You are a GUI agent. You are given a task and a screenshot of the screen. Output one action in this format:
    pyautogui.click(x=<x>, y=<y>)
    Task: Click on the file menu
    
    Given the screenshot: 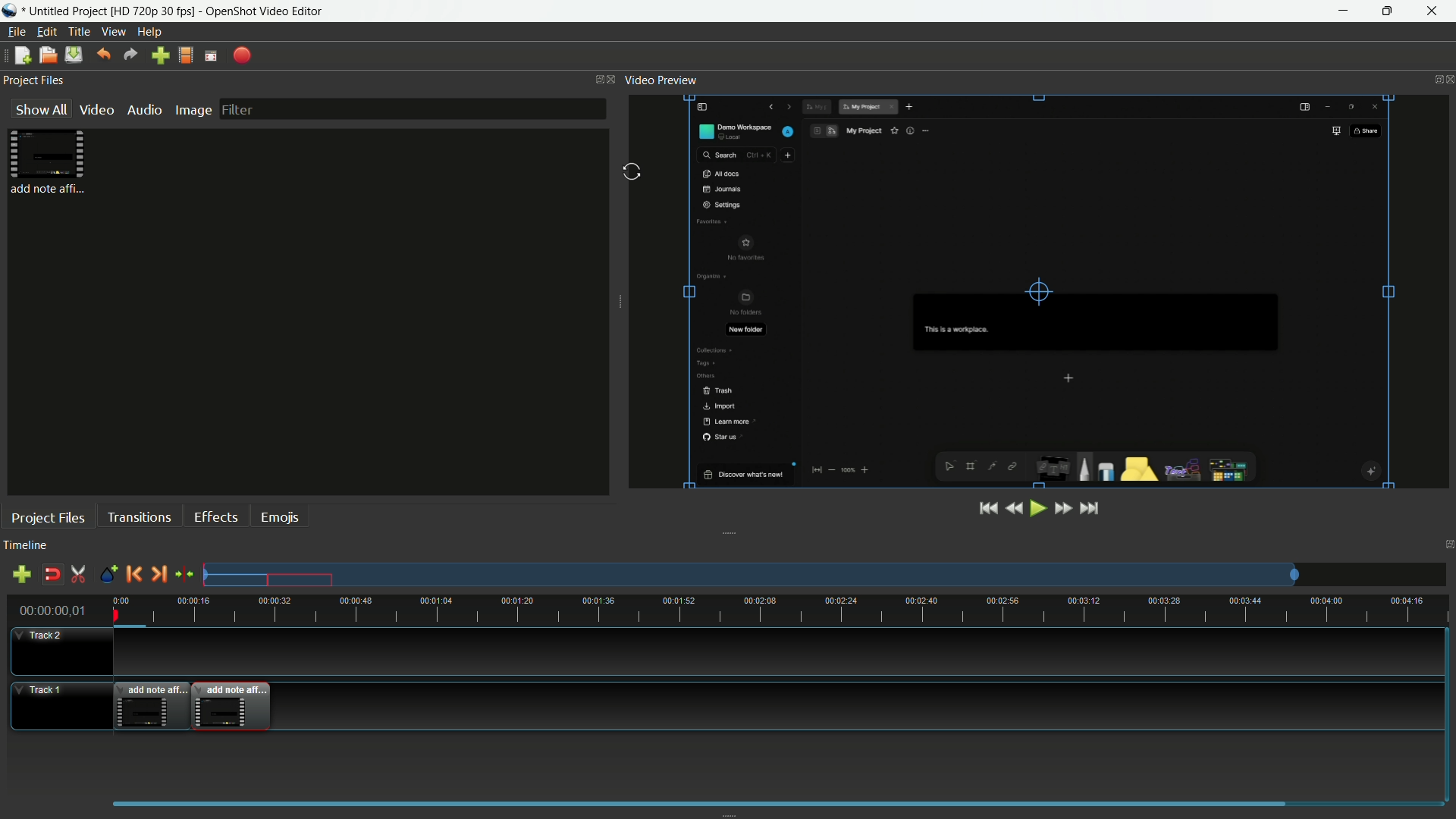 What is the action you would take?
    pyautogui.click(x=17, y=32)
    